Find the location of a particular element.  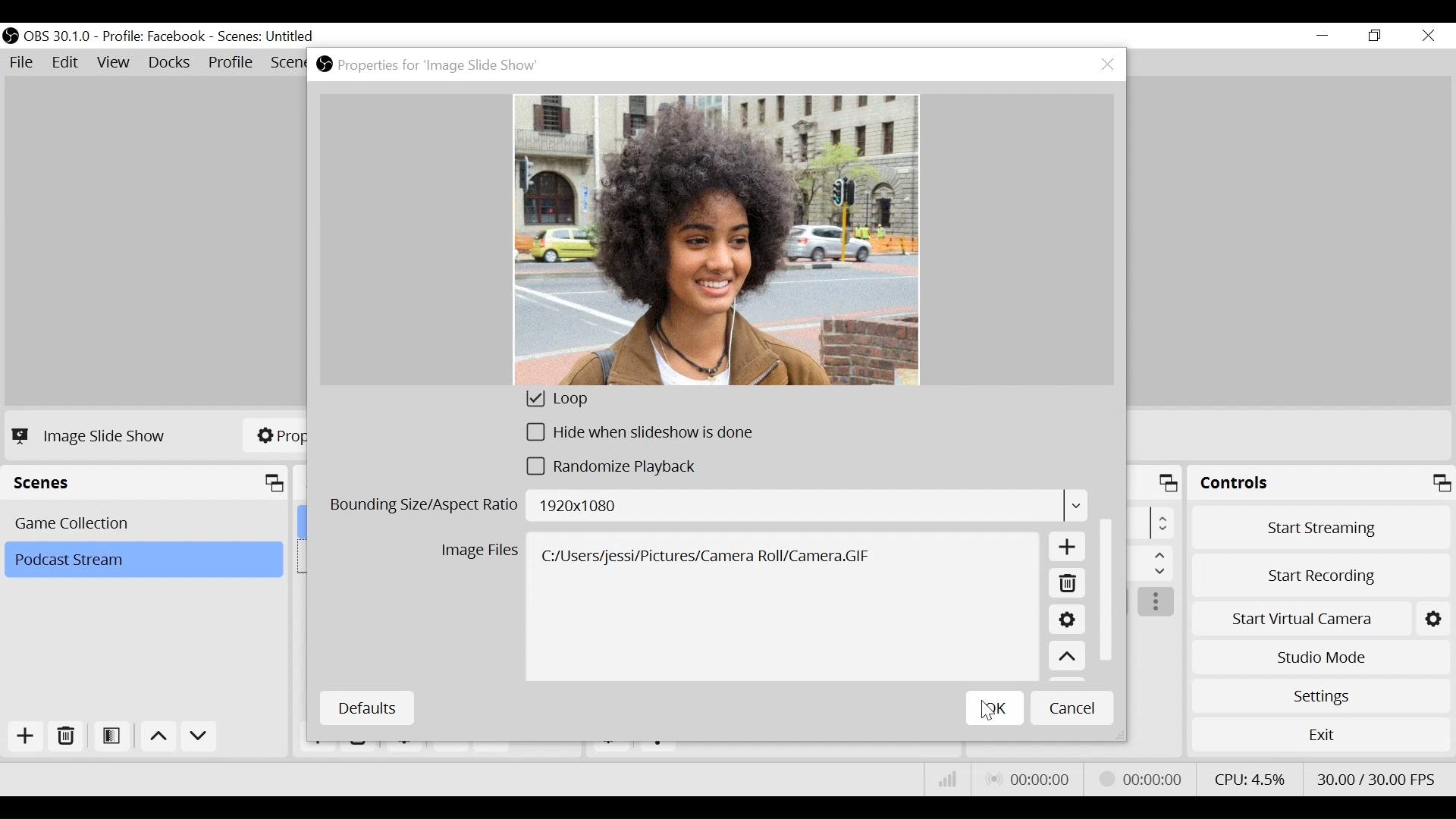

OBS Desktop Icon is located at coordinates (11, 36).